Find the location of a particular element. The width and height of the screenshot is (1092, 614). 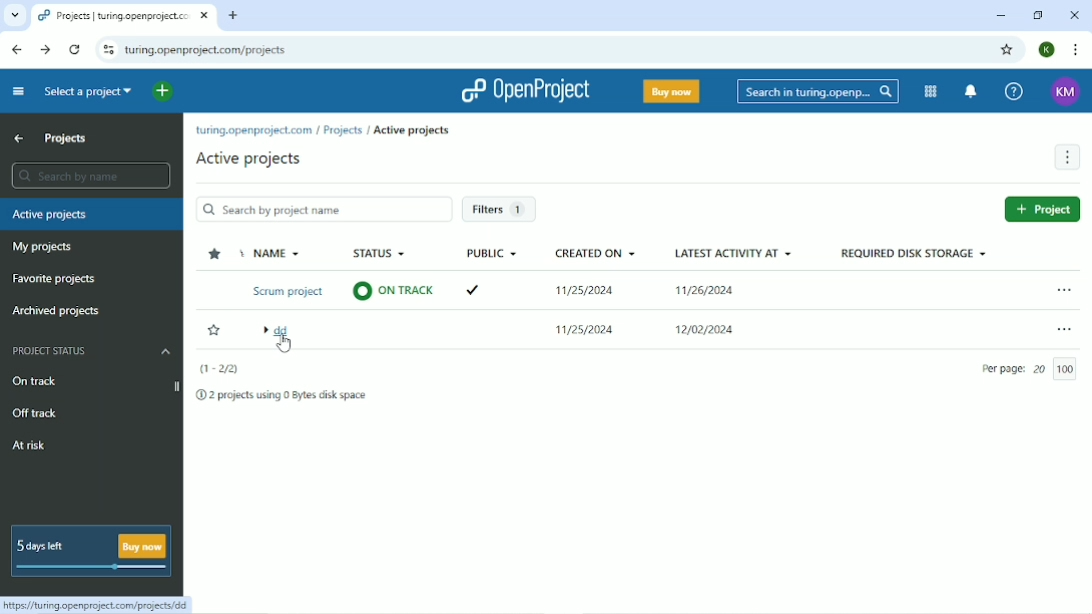

Back is located at coordinates (17, 50).